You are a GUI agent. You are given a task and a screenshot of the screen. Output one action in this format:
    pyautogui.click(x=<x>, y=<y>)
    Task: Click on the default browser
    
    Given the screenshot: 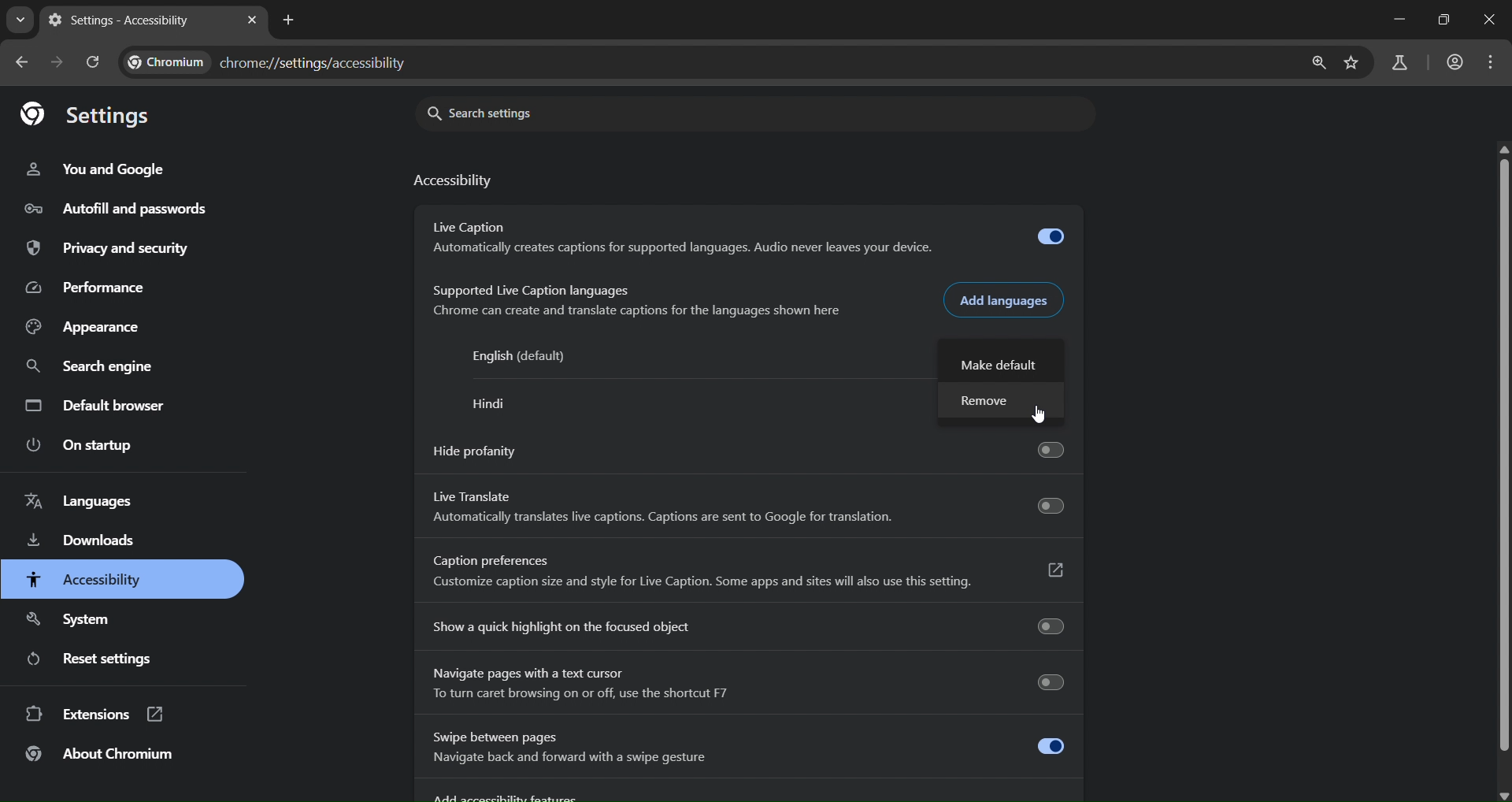 What is the action you would take?
    pyautogui.click(x=98, y=408)
    